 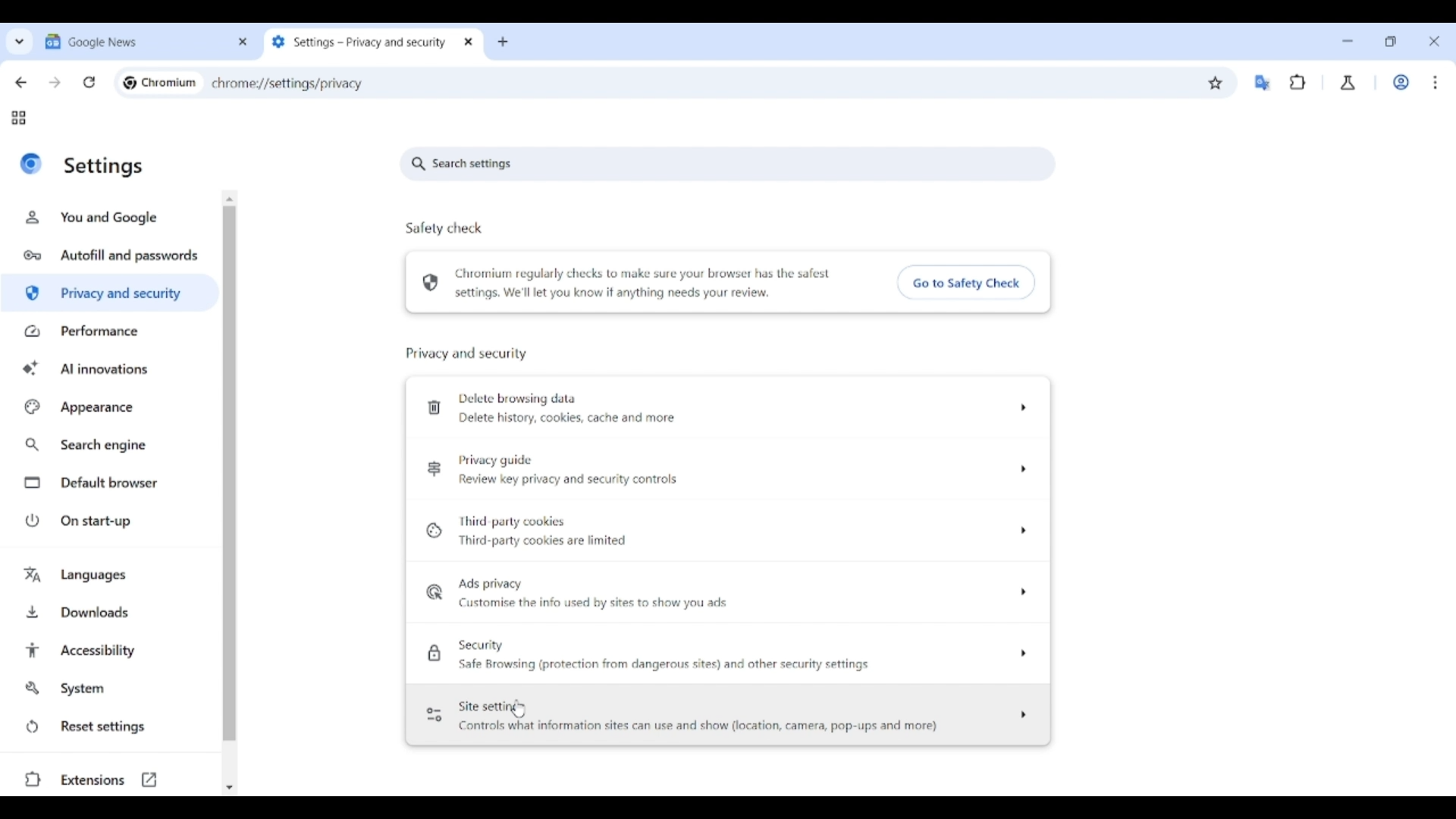 I want to click on Performance , so click(x=109, y=331).